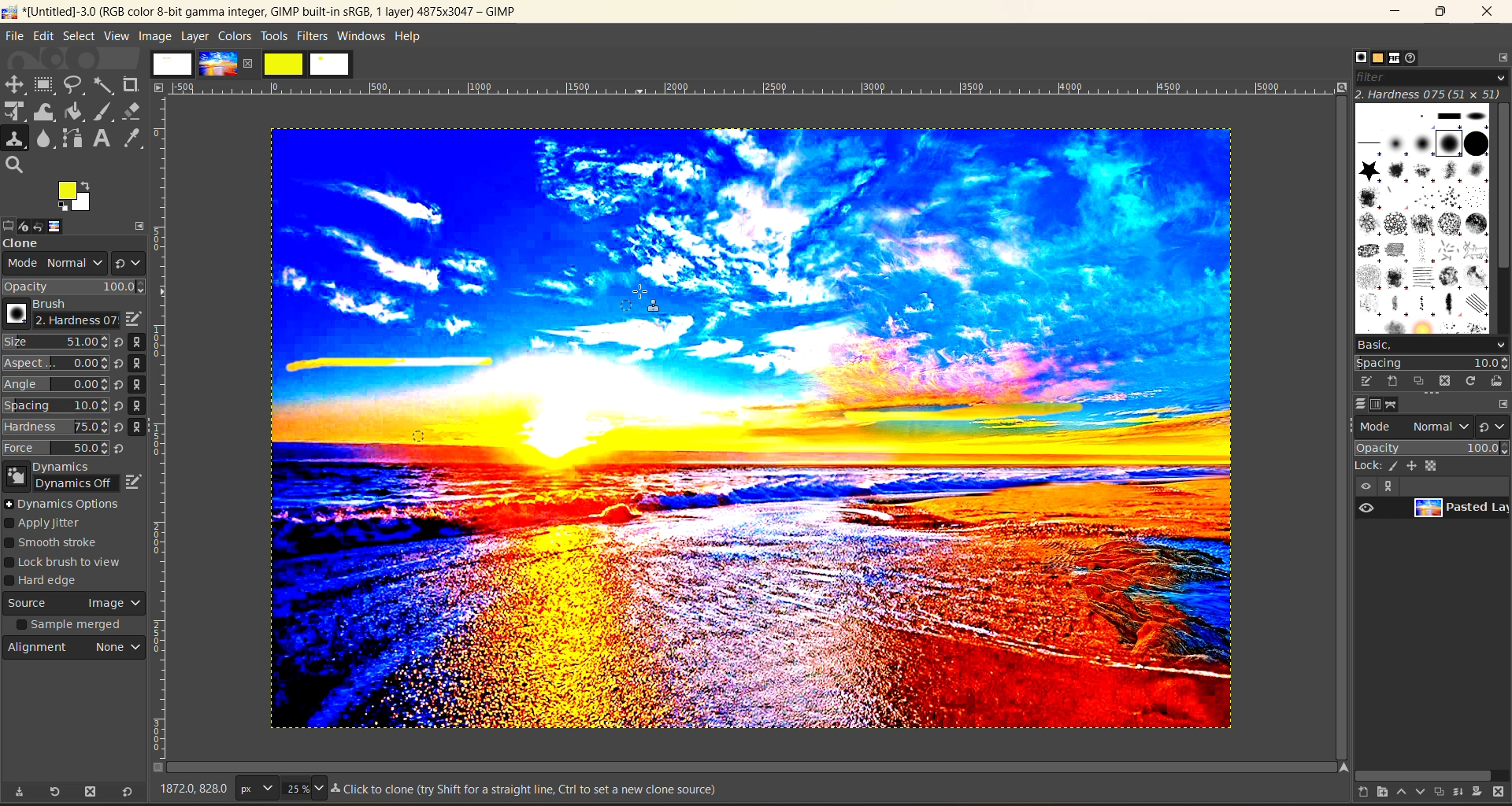 This screenshot has height=806, width=1512. What do you see at coordinates (76, 651) in the screenshot?
I see `alignment` at bounding box center [76, 651].